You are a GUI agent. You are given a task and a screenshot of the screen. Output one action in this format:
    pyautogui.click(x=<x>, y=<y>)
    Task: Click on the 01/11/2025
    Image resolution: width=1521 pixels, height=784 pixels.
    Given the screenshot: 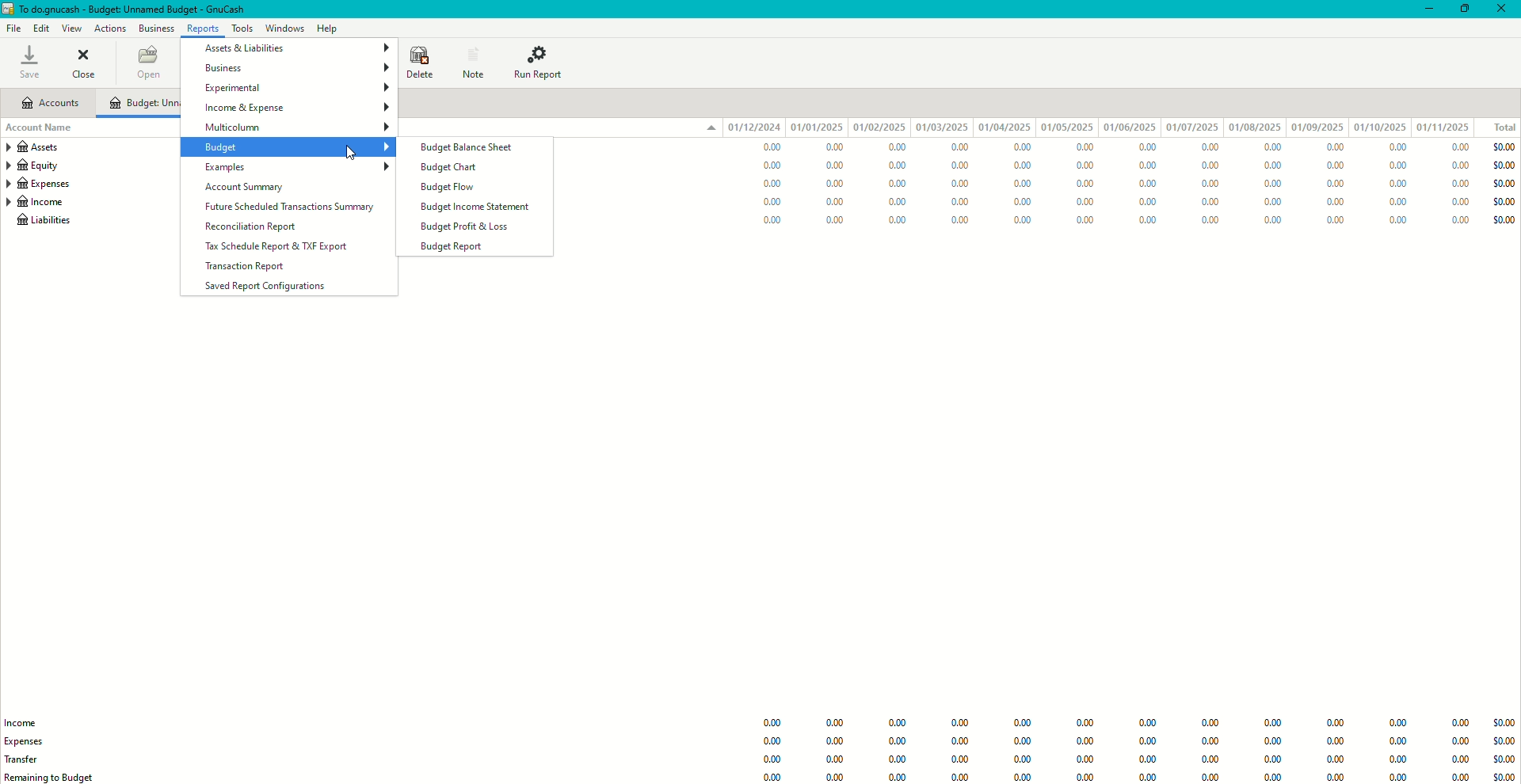 What is the action you would take?
    pyautogui.click(x=1447, y=127)
    